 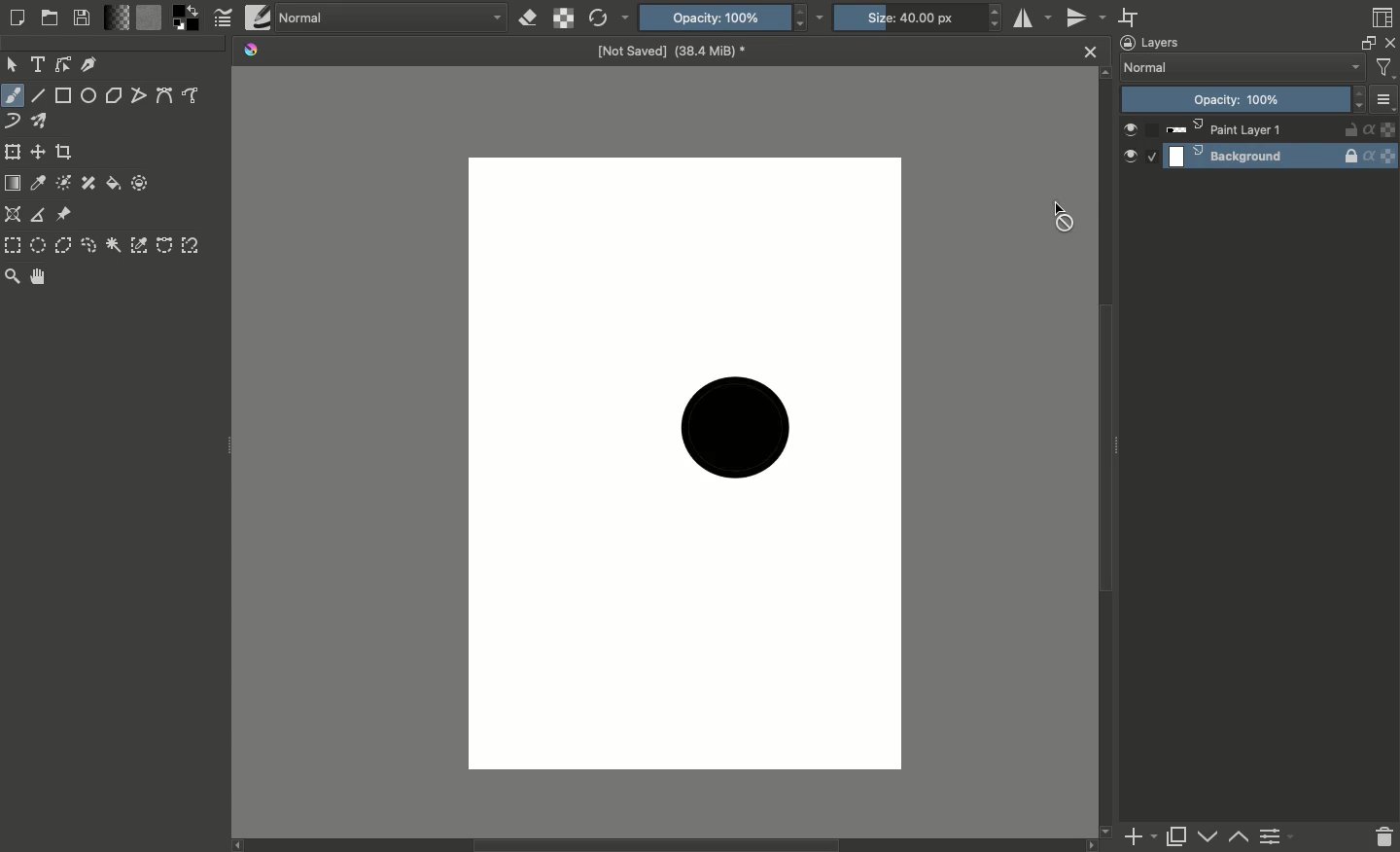 What do you see at coordinates (1133, 129) in the screenshot?
I see `Visible` at bounding box center [1133, 129].